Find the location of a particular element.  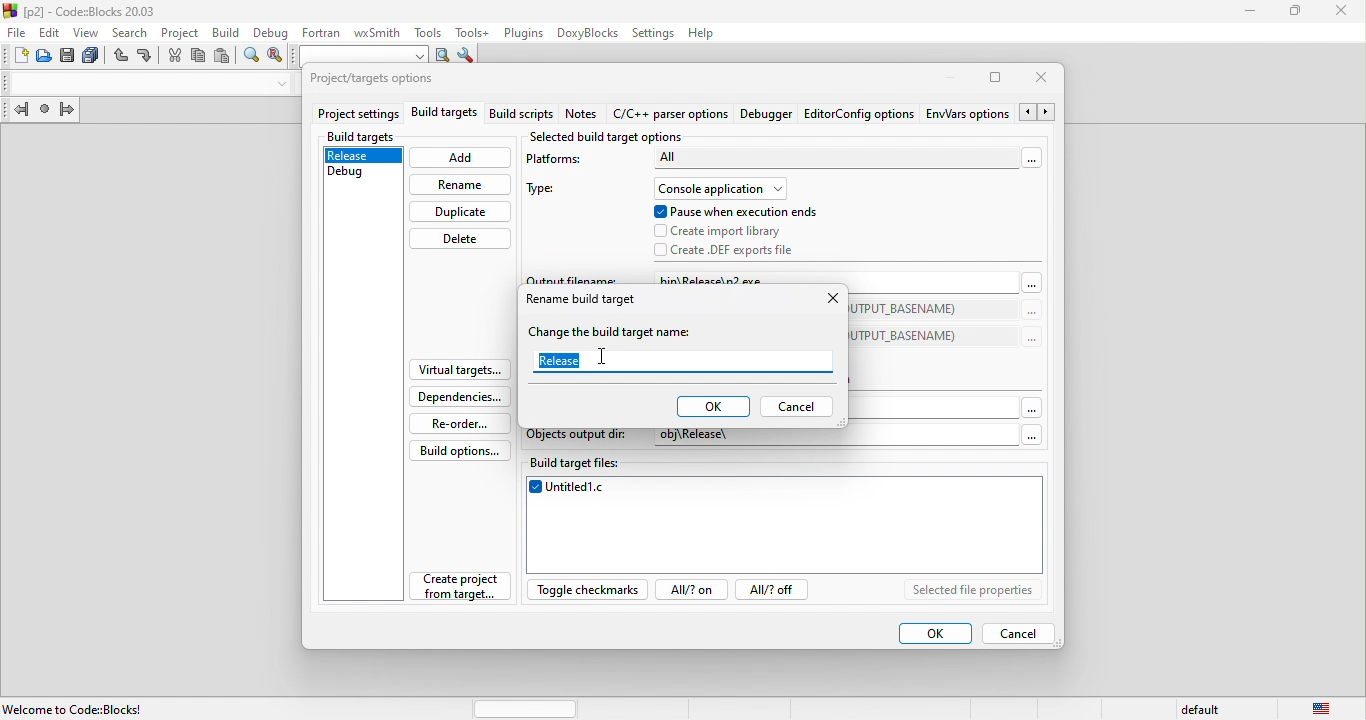

selected build target option is located at coordinates (612, 136).